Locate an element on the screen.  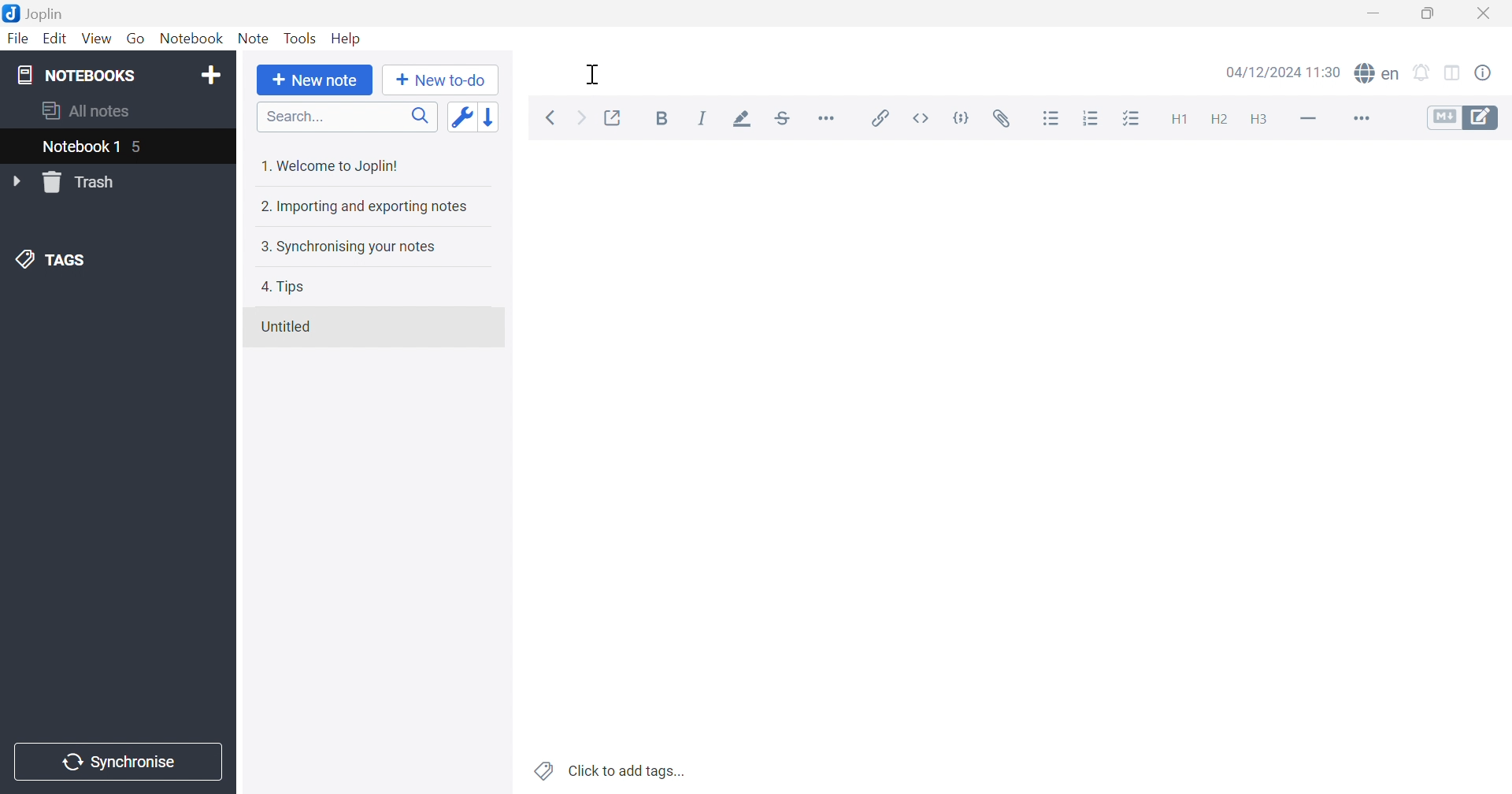
Notebook 1 is located at coordinates (80, 147).